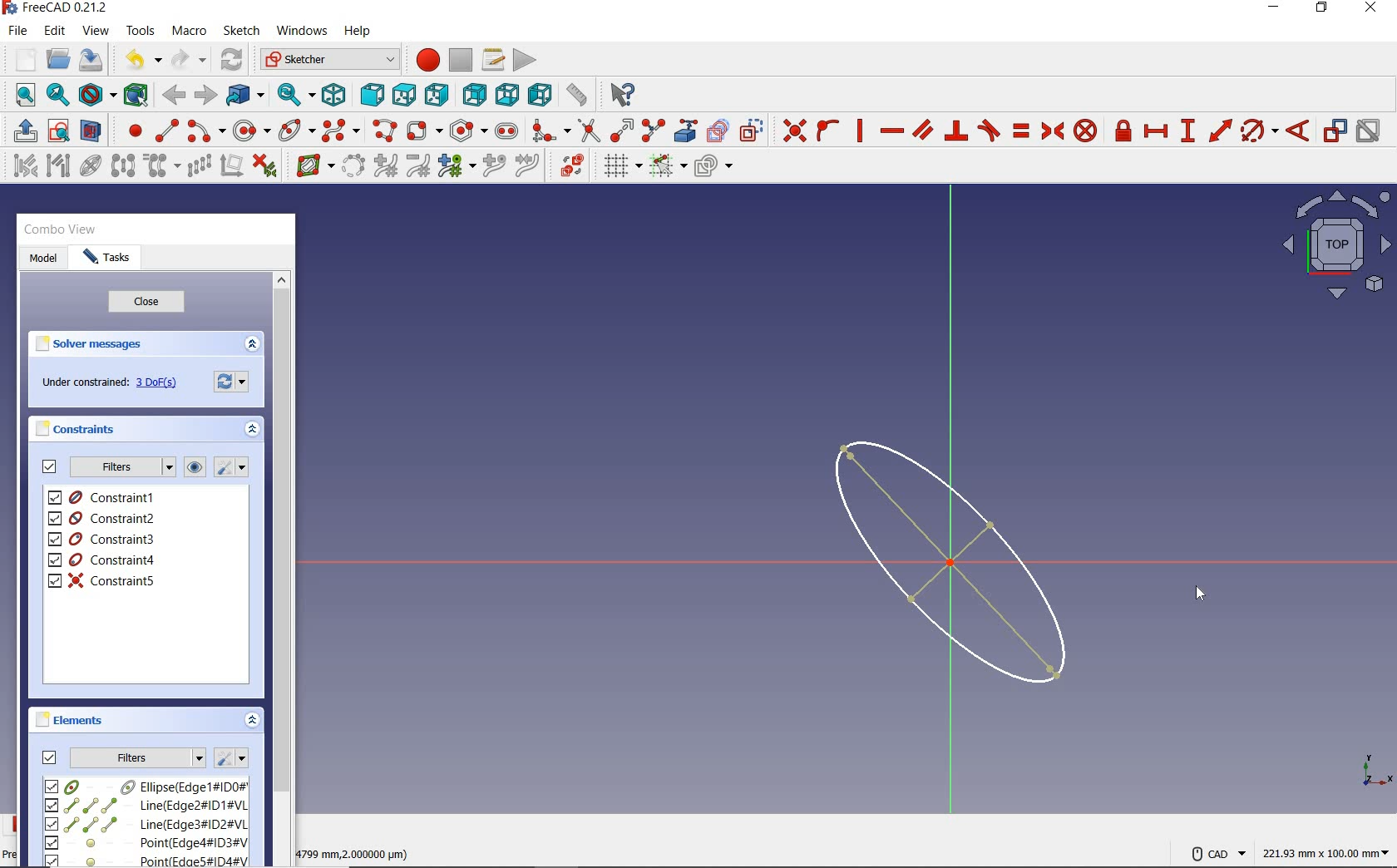 This screenshot has height=868, width=1397. Describe the element at coordinates (58, 60) in the screenshot. I see `open` at that location.